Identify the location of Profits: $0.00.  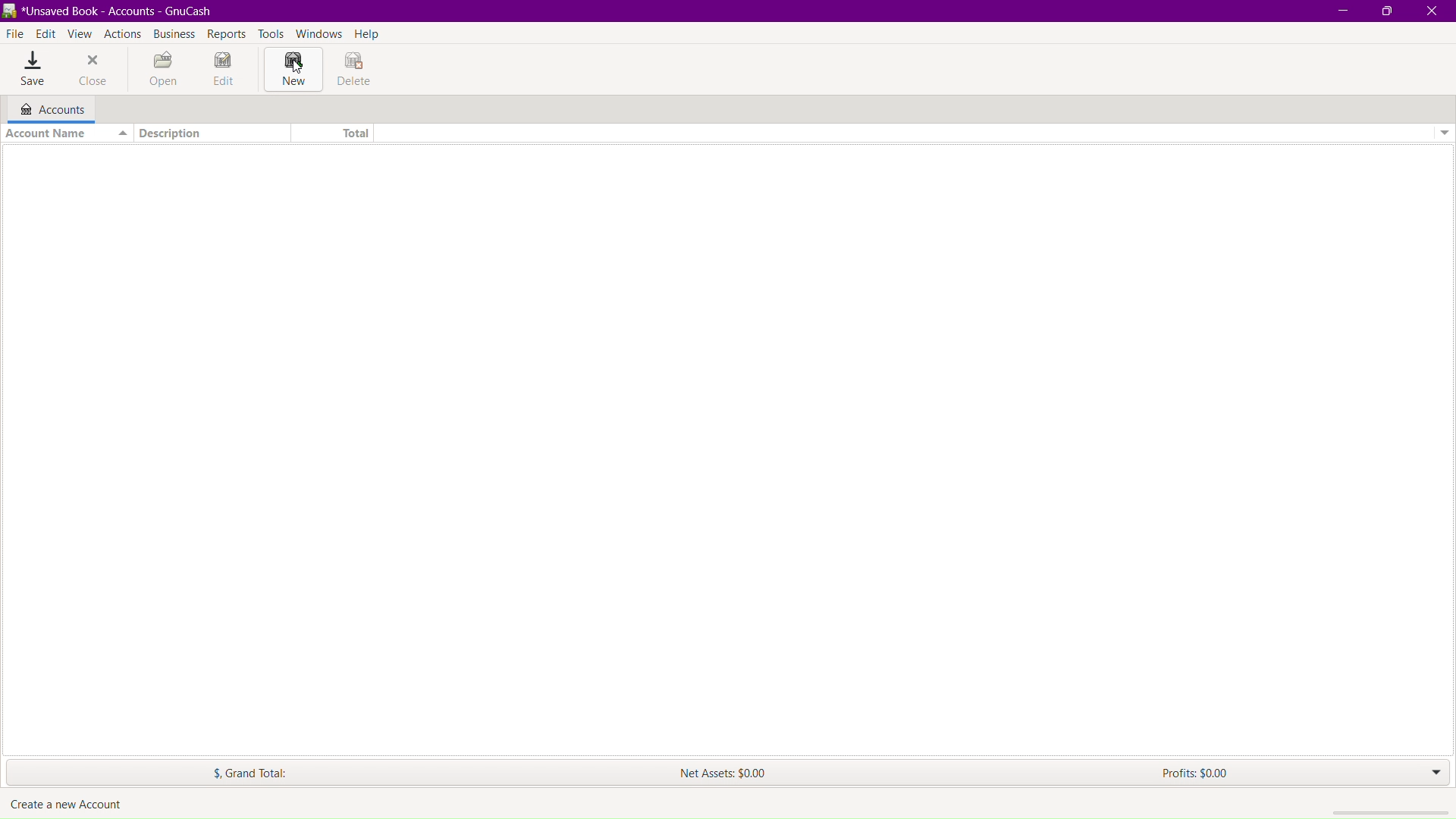
(1200, 773).